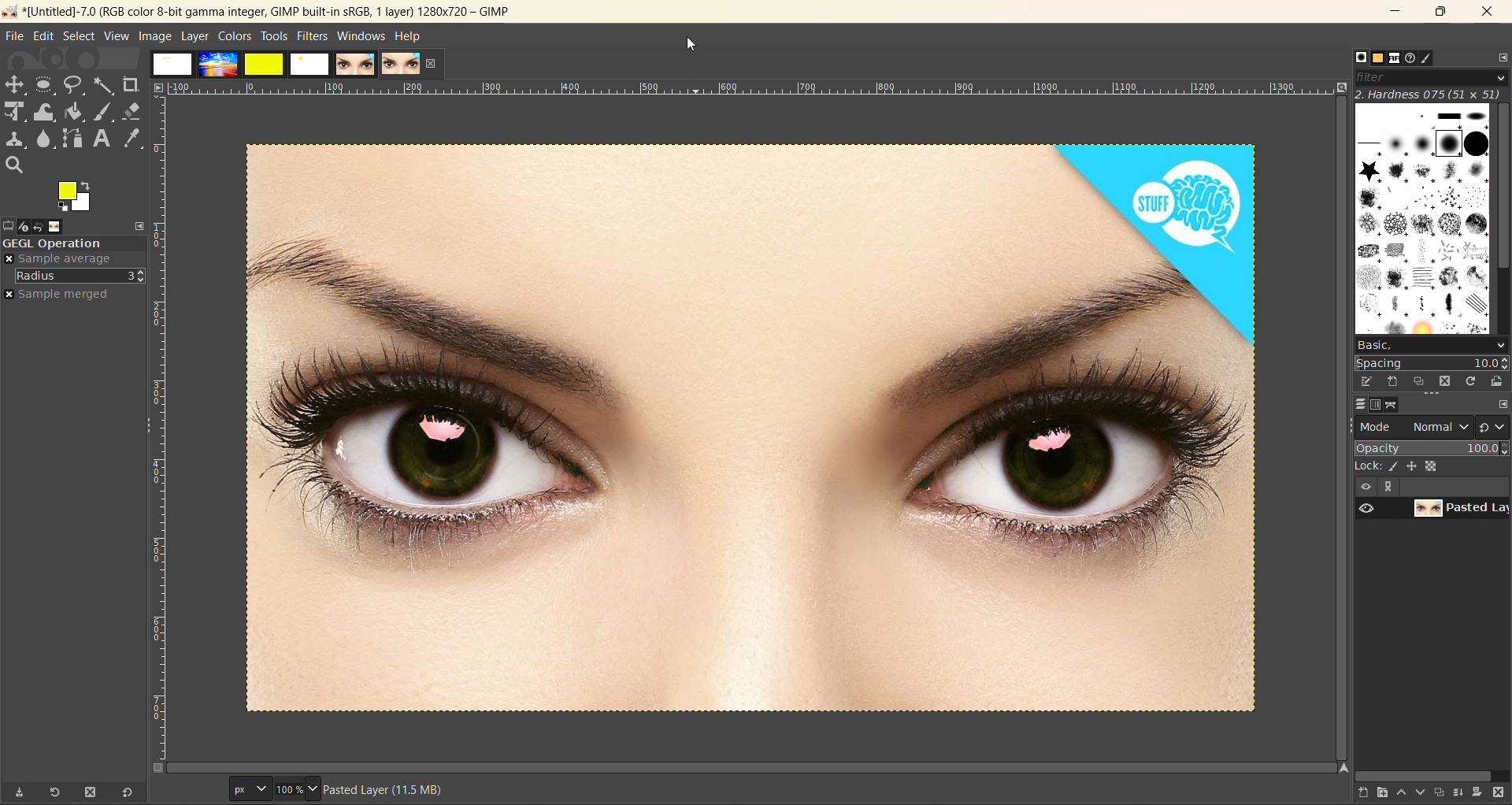 This screenshot has width=1512, height=805. What do you see at coordinates (78, 35) in the screenshot?
I see `select` at bounding box center [78, 35].